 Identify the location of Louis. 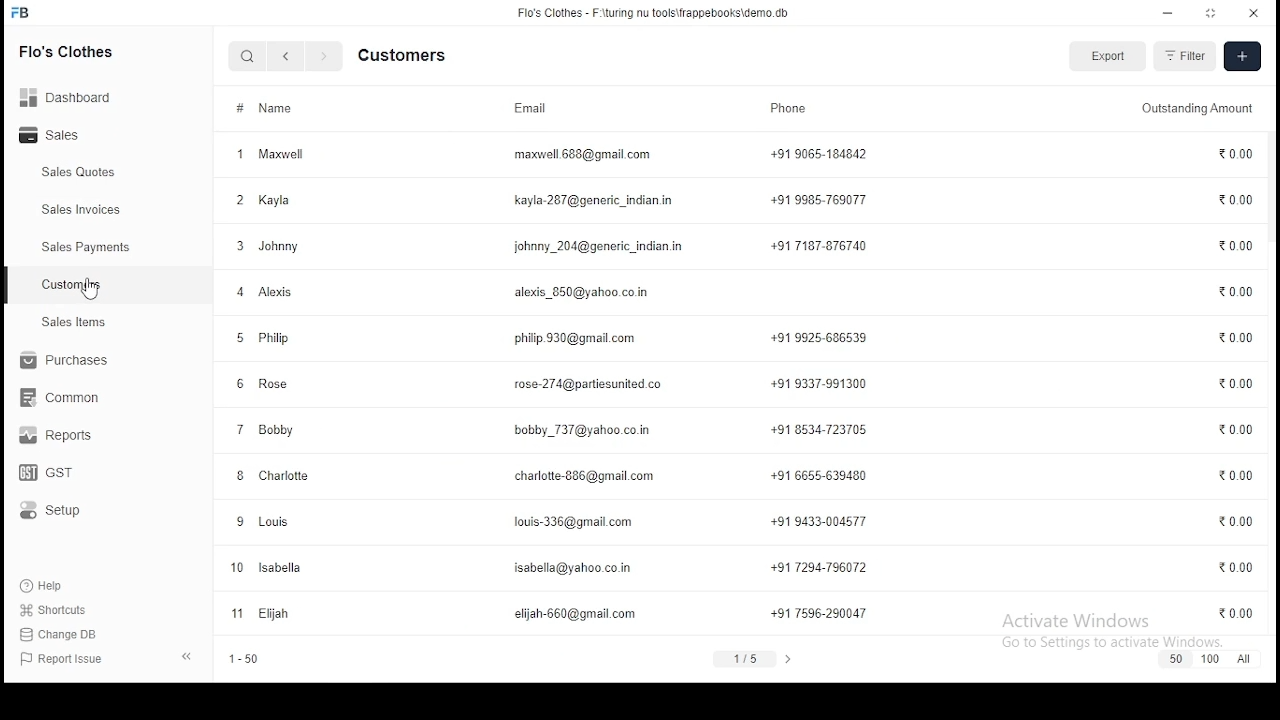
(274, 522).